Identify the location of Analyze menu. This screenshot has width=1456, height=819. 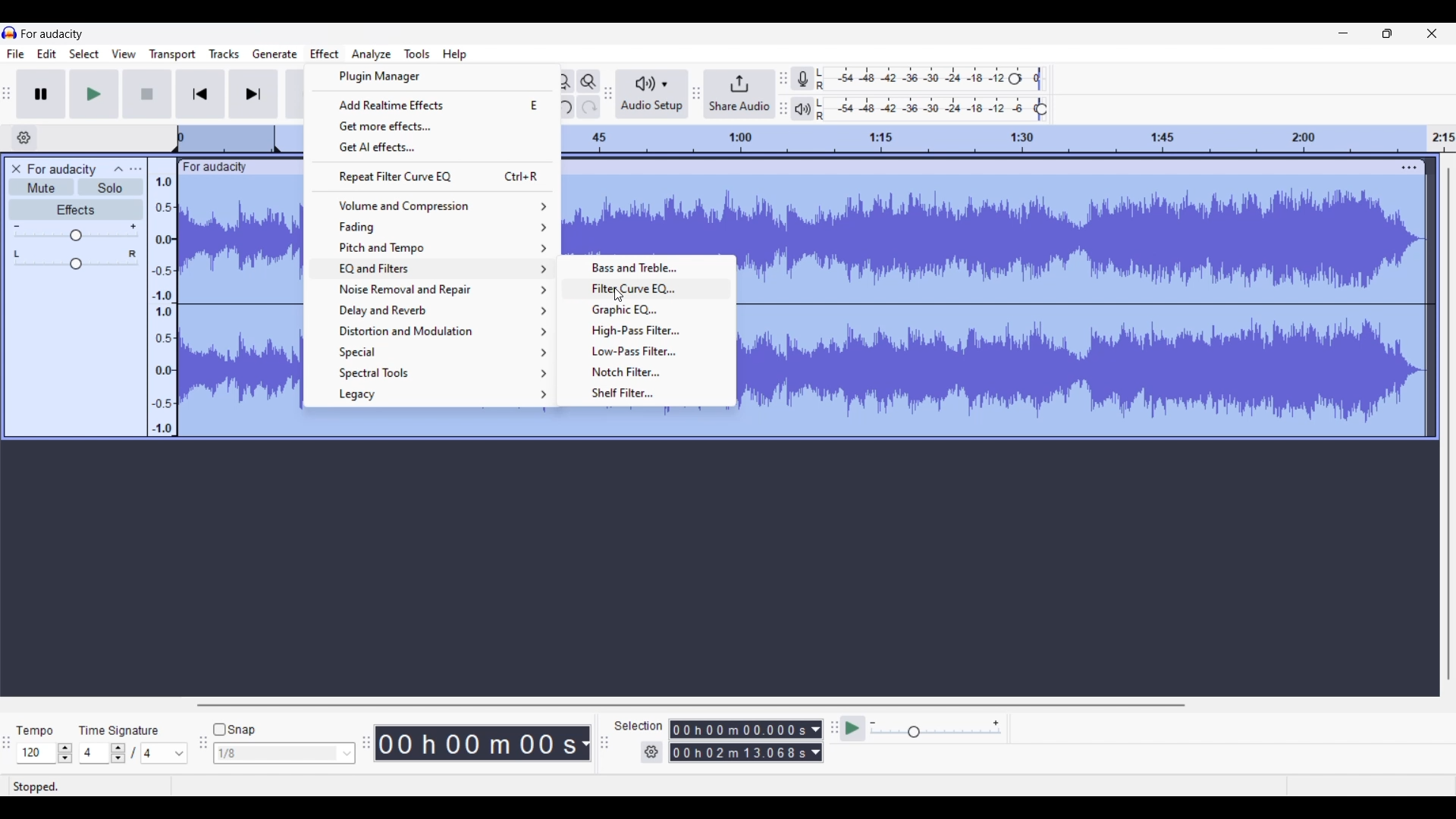
(371, 55).